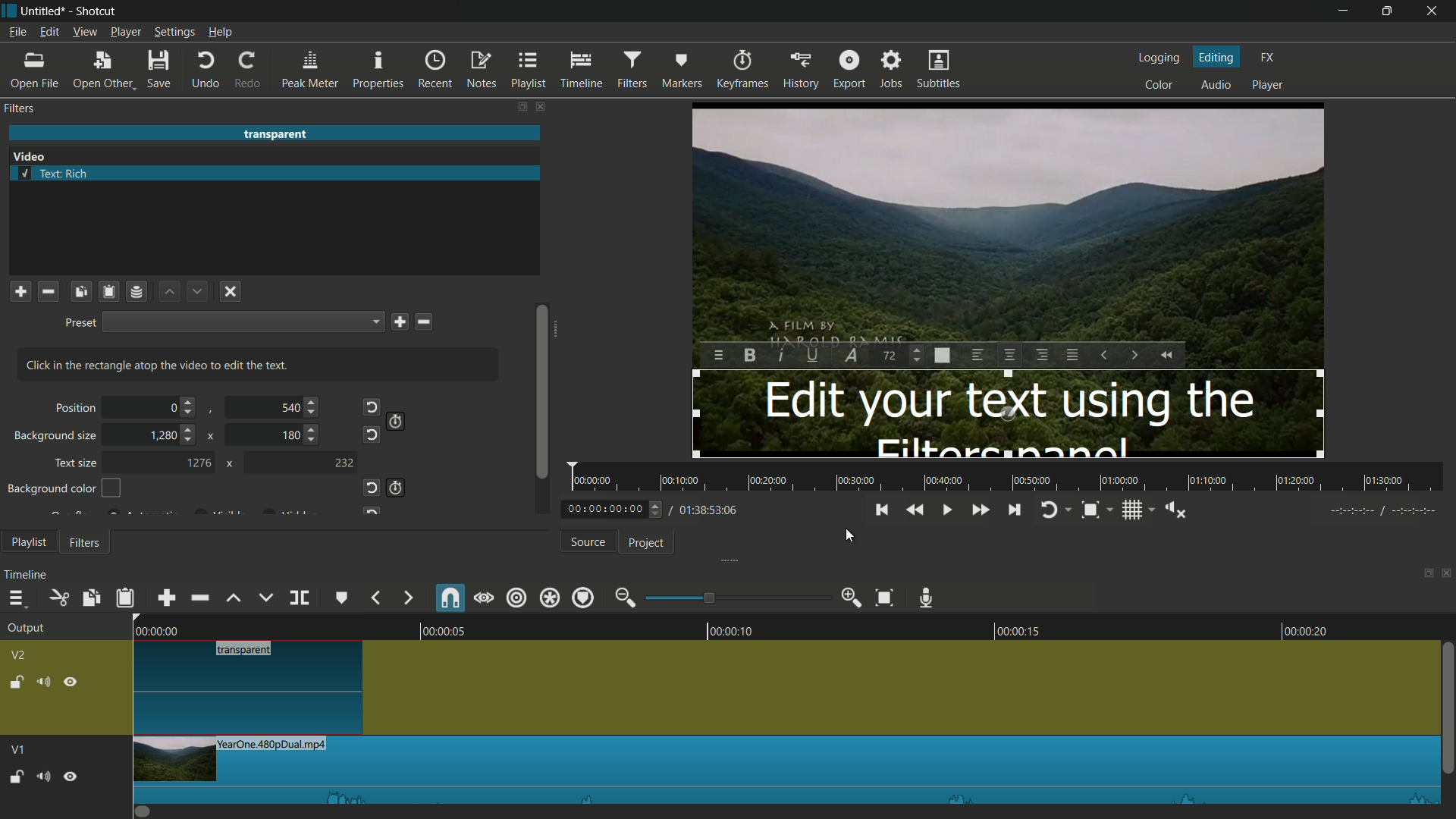 The height and width of the screenshot is (819, 1456). I want to click on font, so click(850, 354).